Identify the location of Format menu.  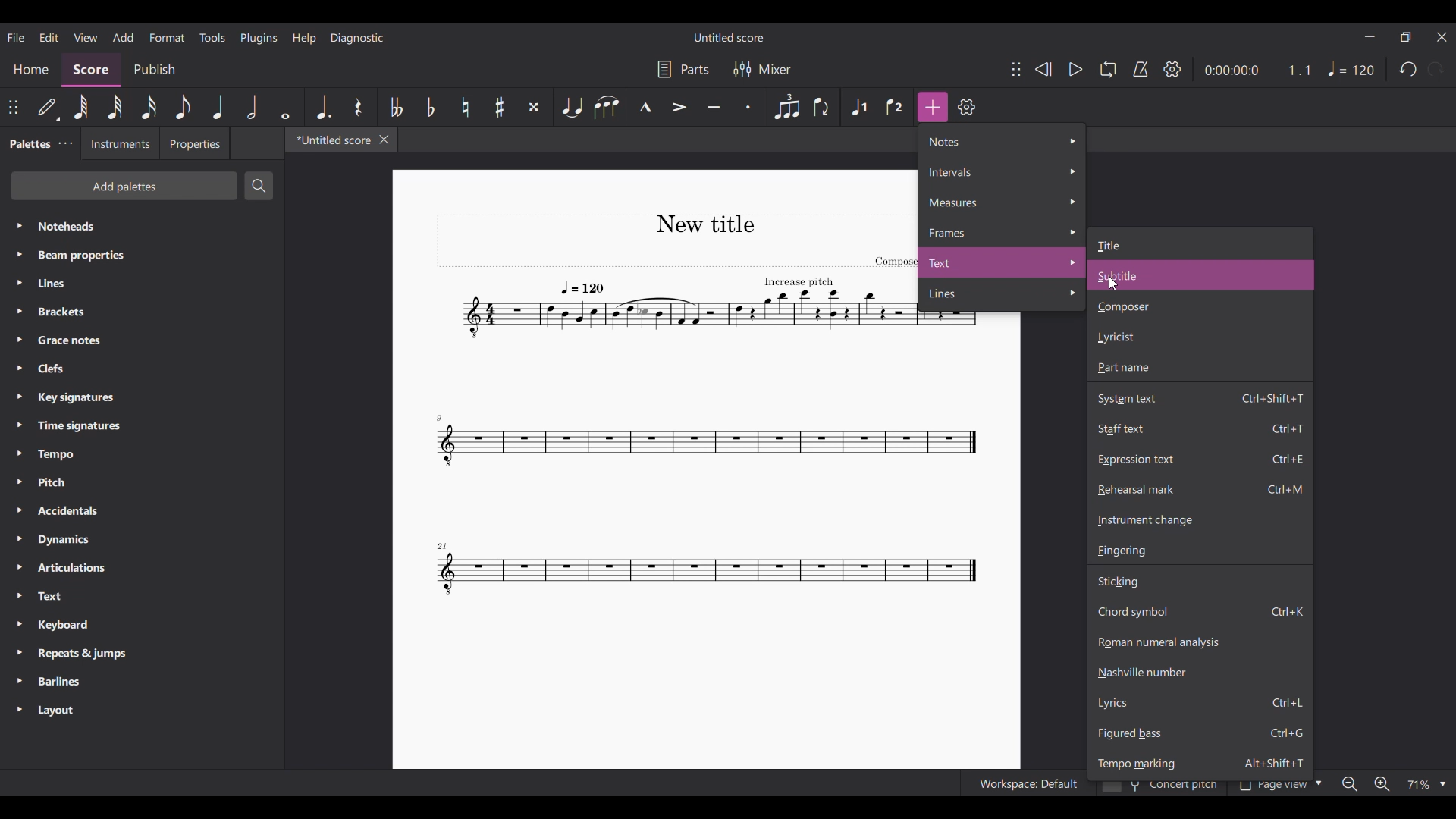
(167, 38).